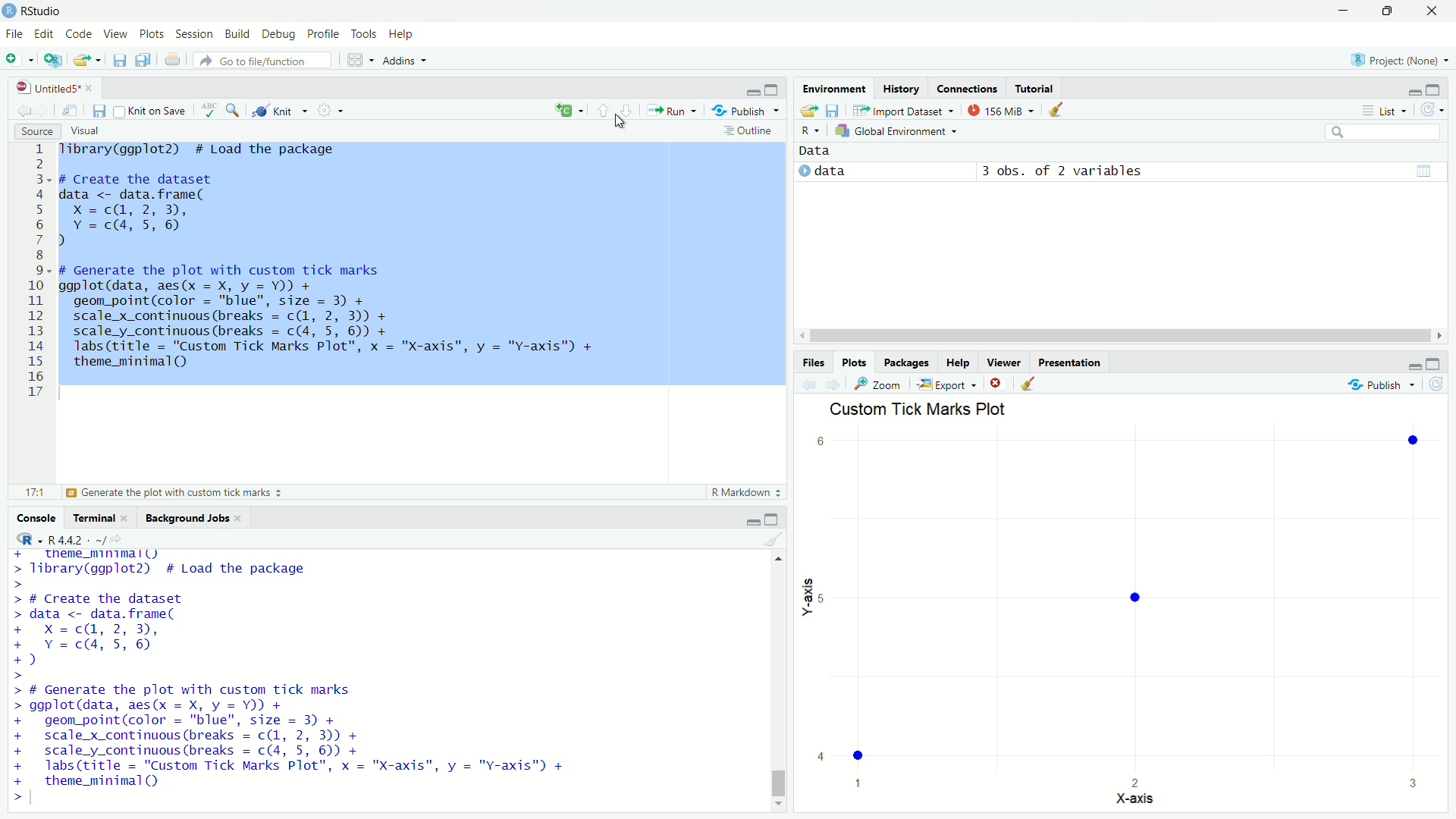 The height and width of the screenshot is (819, 1456). What do you see at coordinates (751, 132) in the screenshot?
I see `outline` at bounding box center [751, 132].